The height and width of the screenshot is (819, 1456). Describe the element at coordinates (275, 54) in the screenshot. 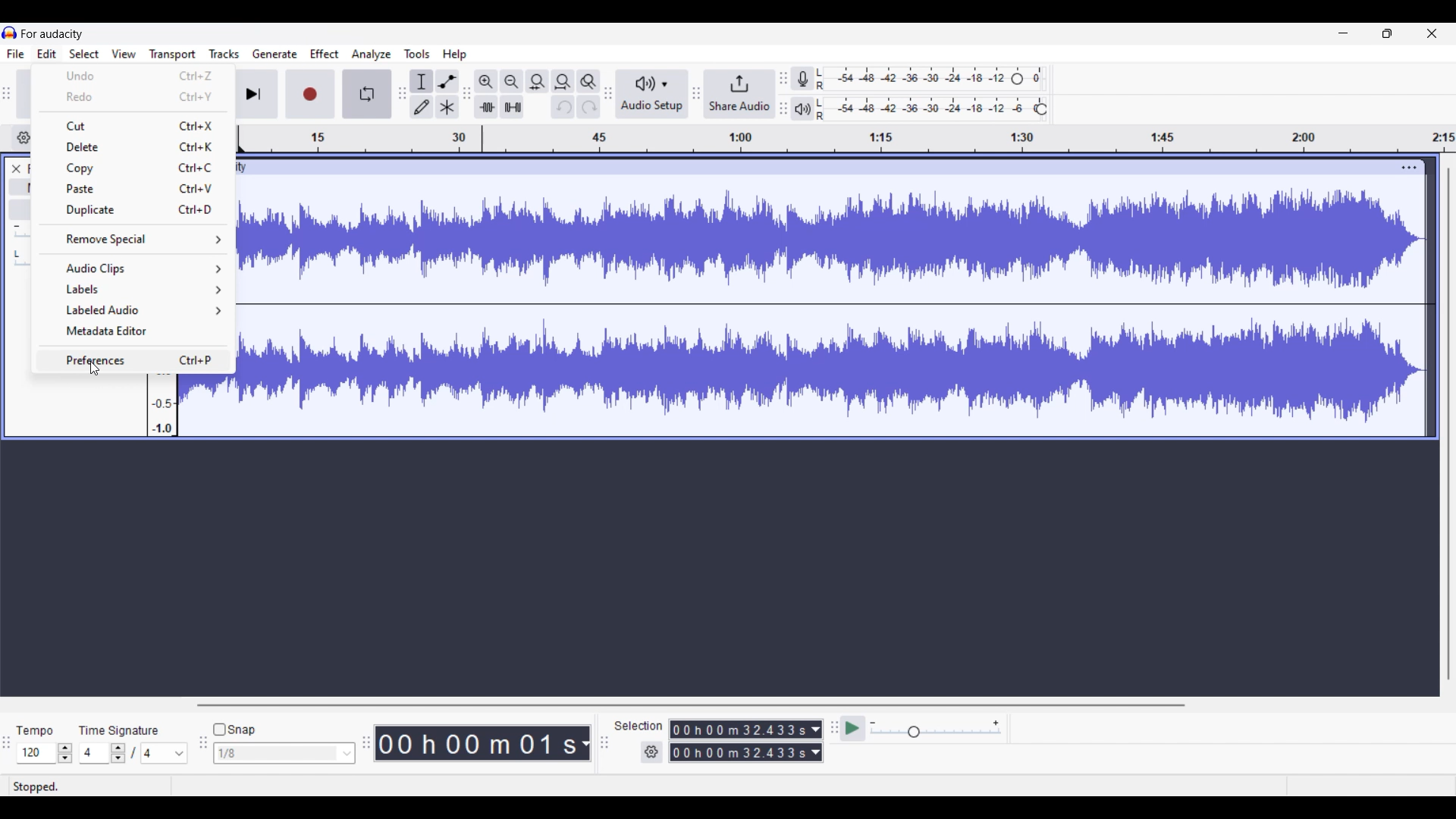

I see `Generate menu` at that location.